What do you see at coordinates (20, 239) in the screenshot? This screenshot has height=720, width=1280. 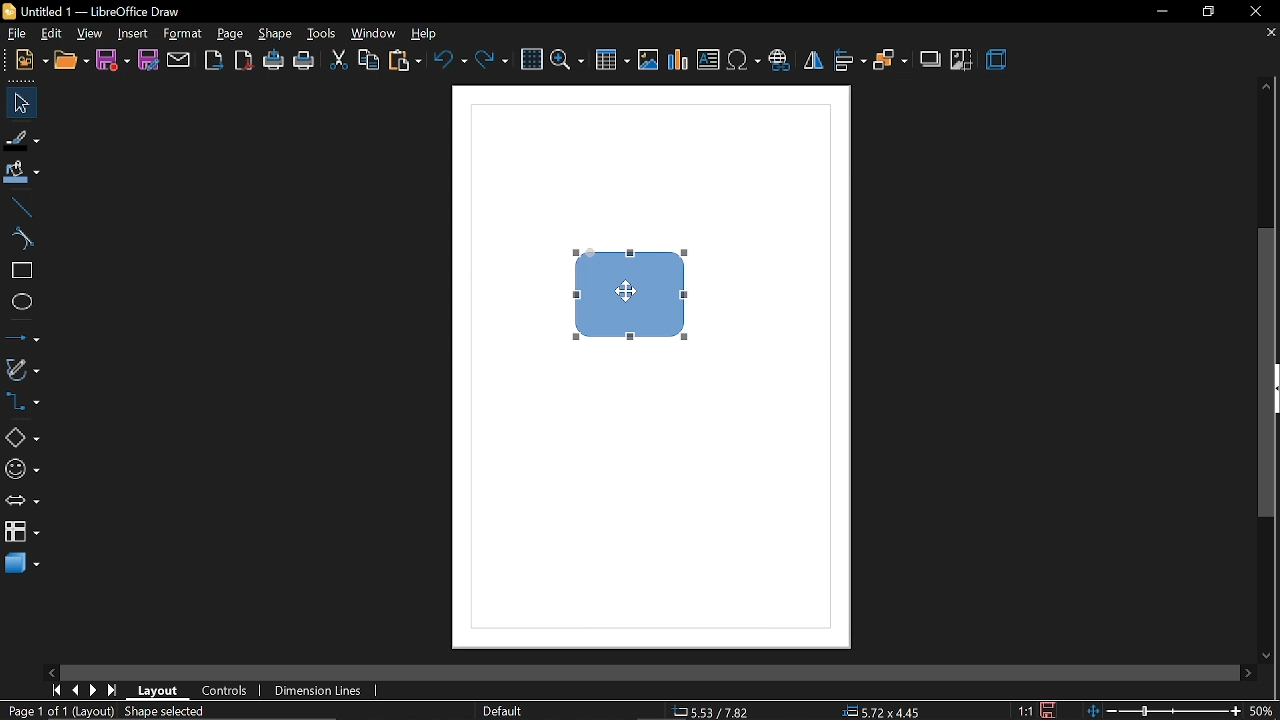 I see `curve` at bounding box center [20, 239].